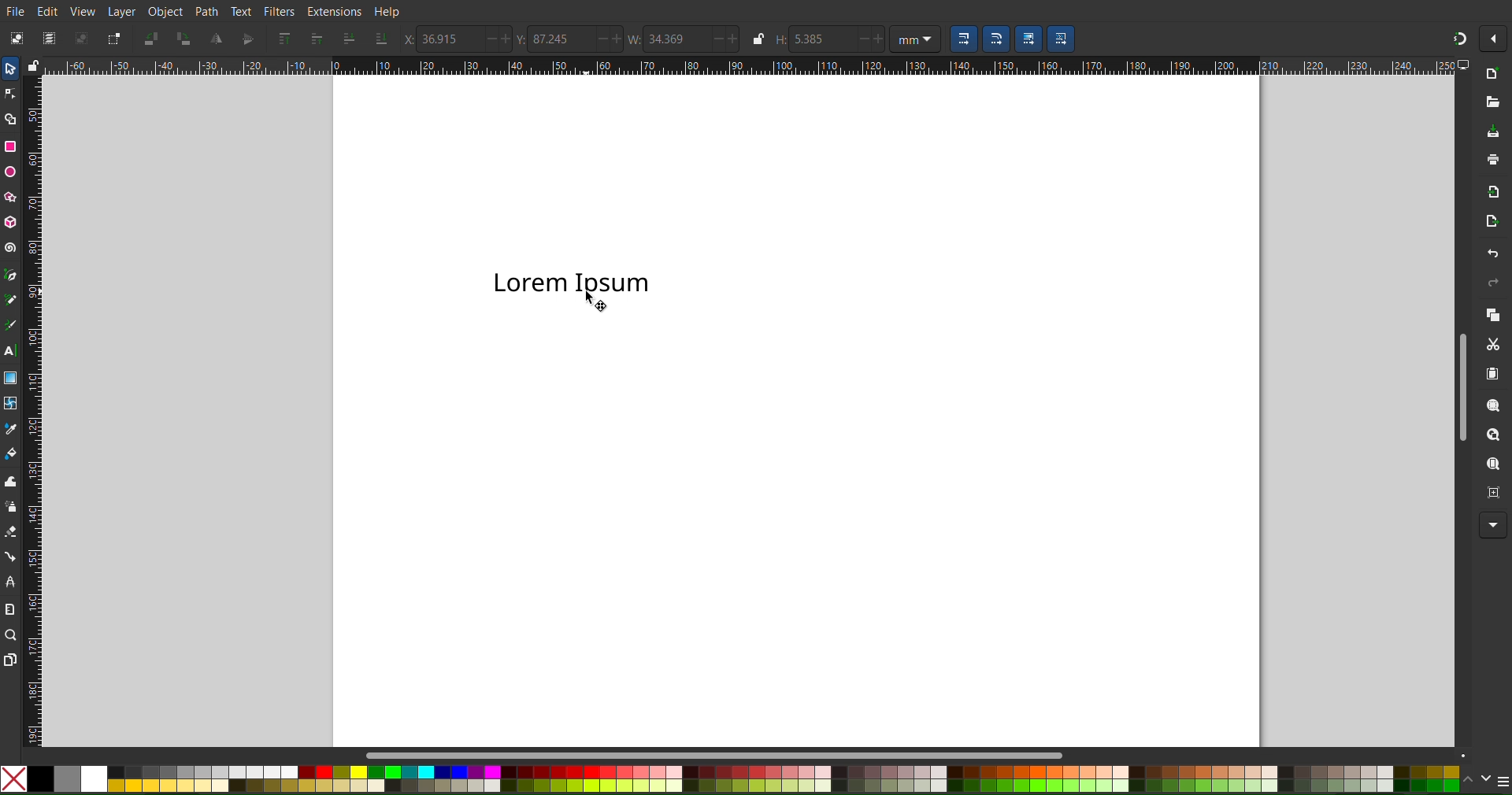 The width and height of the screenshot is (1512, 795). What do you see at coordinates (1493, 73) in the screenshot?
I see `New` at bounding box center [1493, 73].